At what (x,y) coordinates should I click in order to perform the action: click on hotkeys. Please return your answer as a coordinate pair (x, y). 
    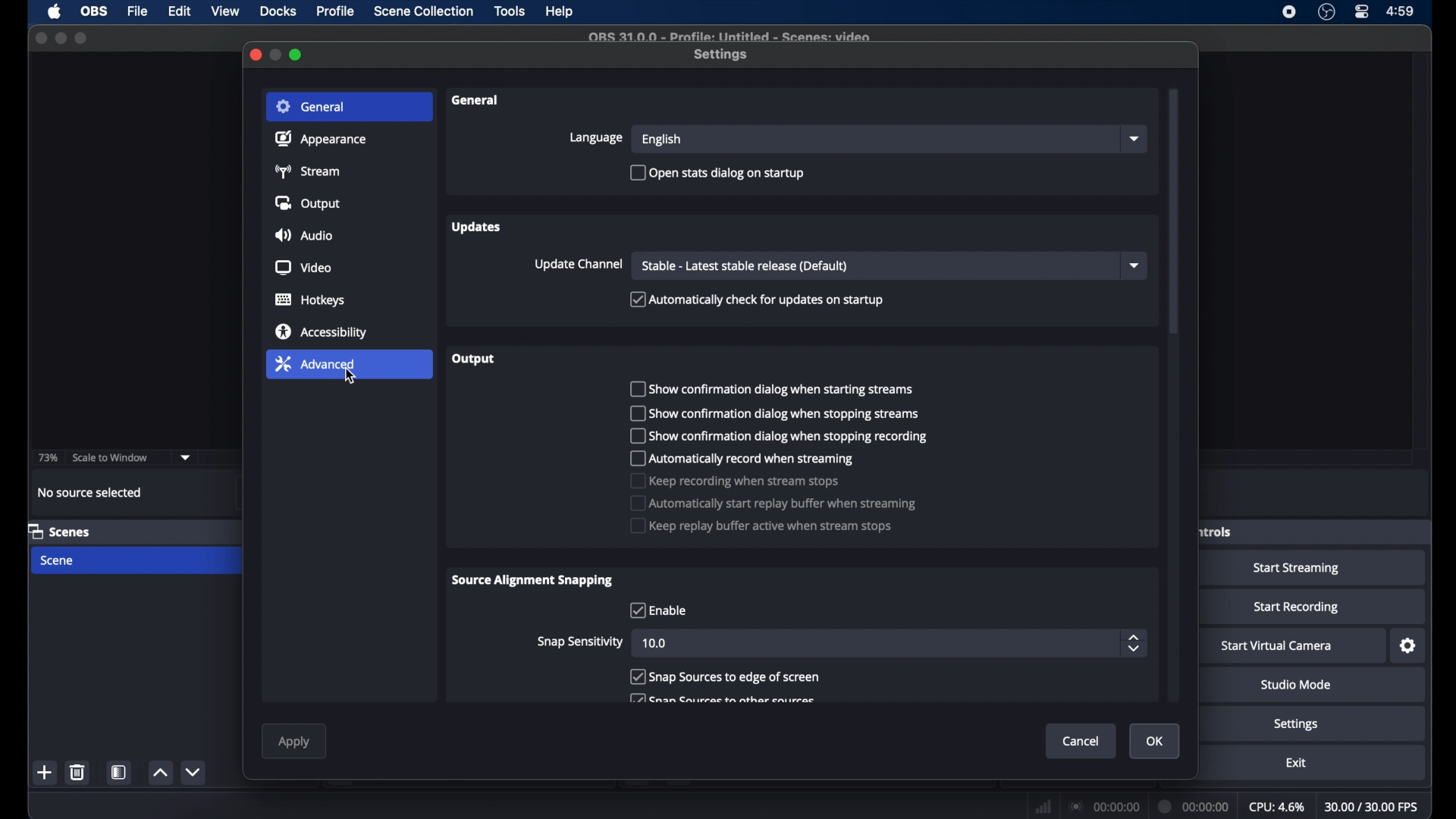
    Looking at the image, I should click on (310, 300).